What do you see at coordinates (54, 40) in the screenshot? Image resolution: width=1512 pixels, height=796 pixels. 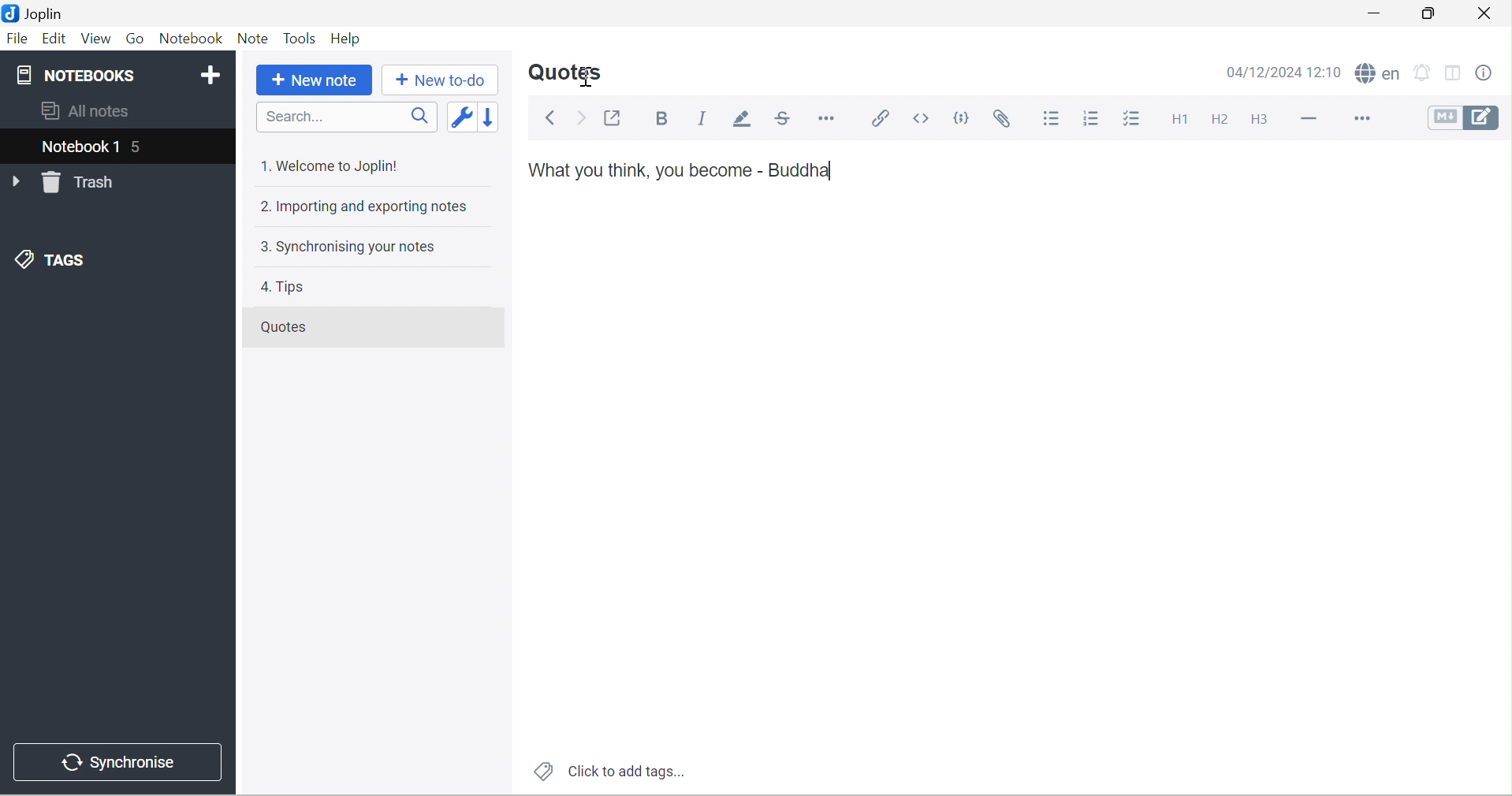 I see `Edit` at bounding box center [54, 40].